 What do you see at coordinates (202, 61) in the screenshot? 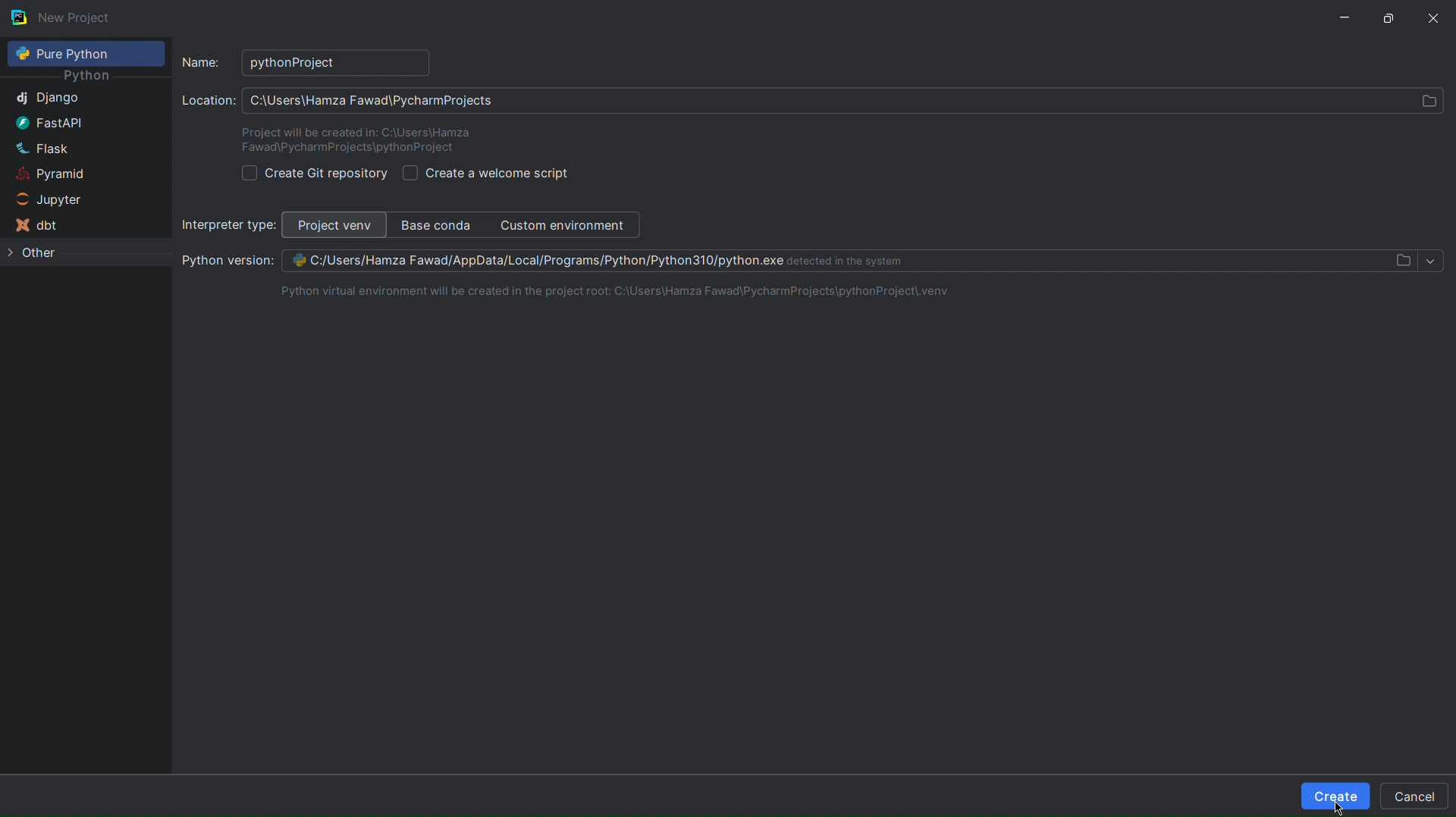
I see `Name` at bounding box center [202, 61].